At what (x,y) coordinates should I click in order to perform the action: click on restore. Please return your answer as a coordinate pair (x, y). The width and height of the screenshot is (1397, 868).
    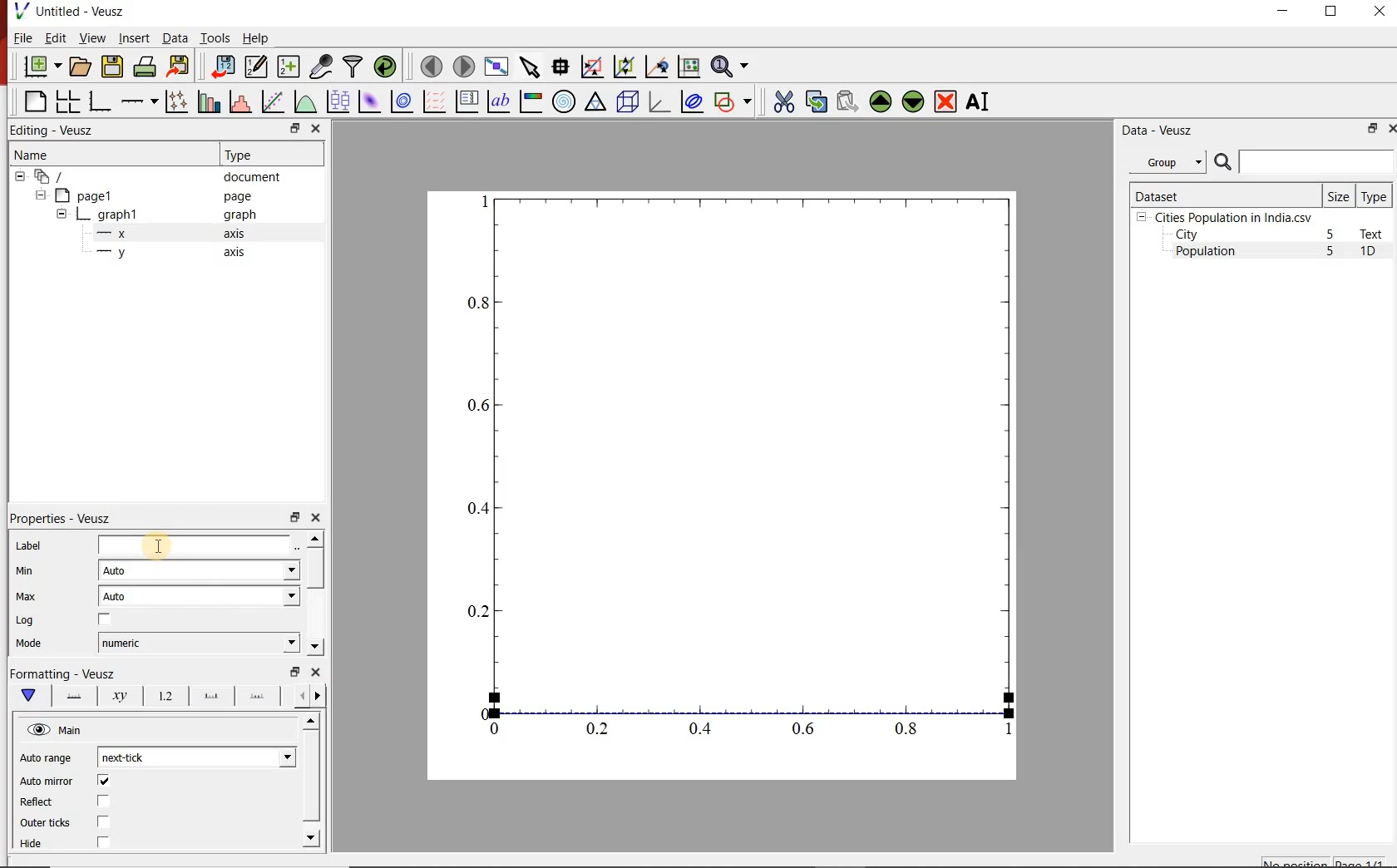
    Looking at the image, I should click on (294, 128).